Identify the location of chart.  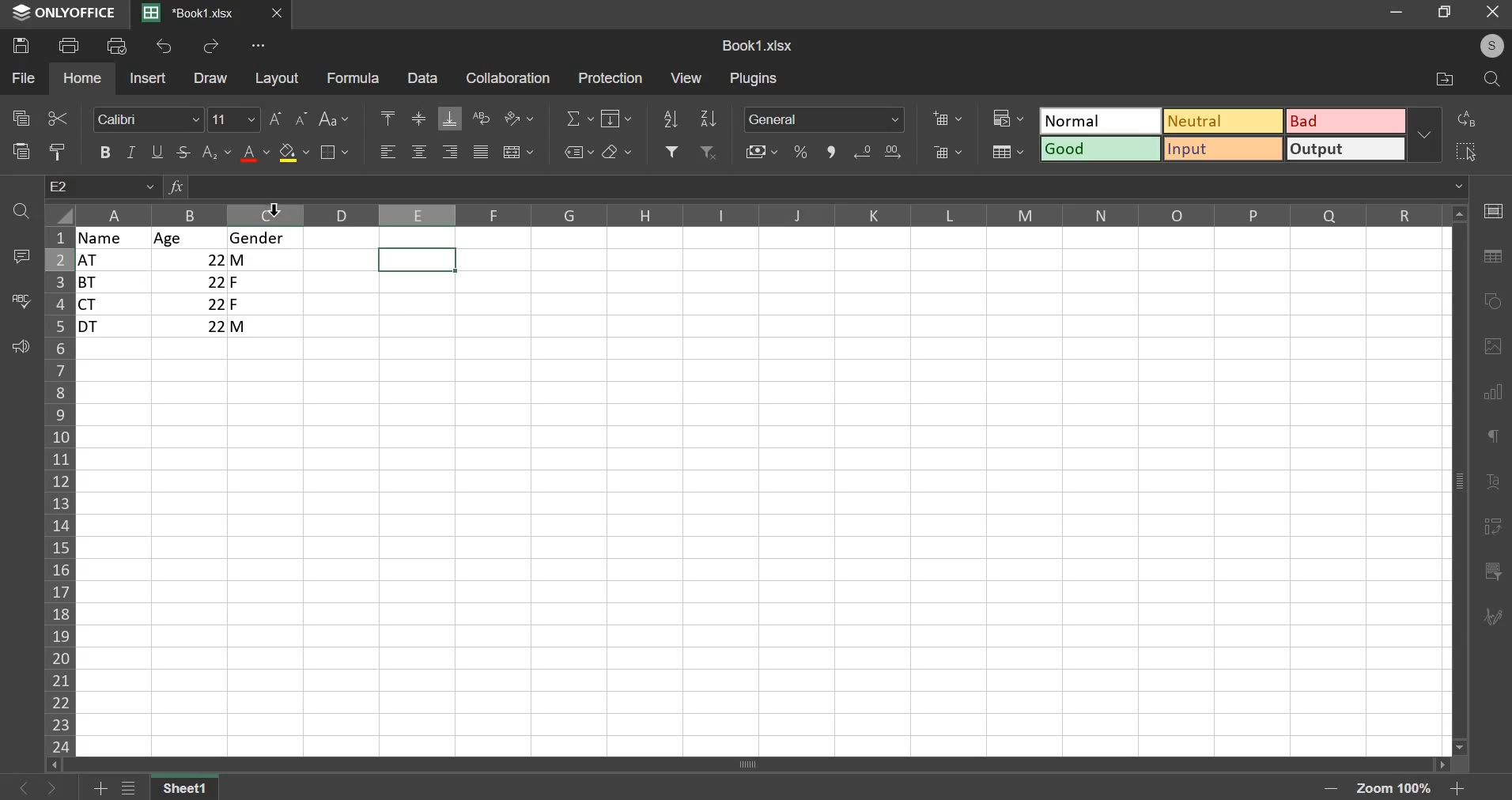
(1495, 399).